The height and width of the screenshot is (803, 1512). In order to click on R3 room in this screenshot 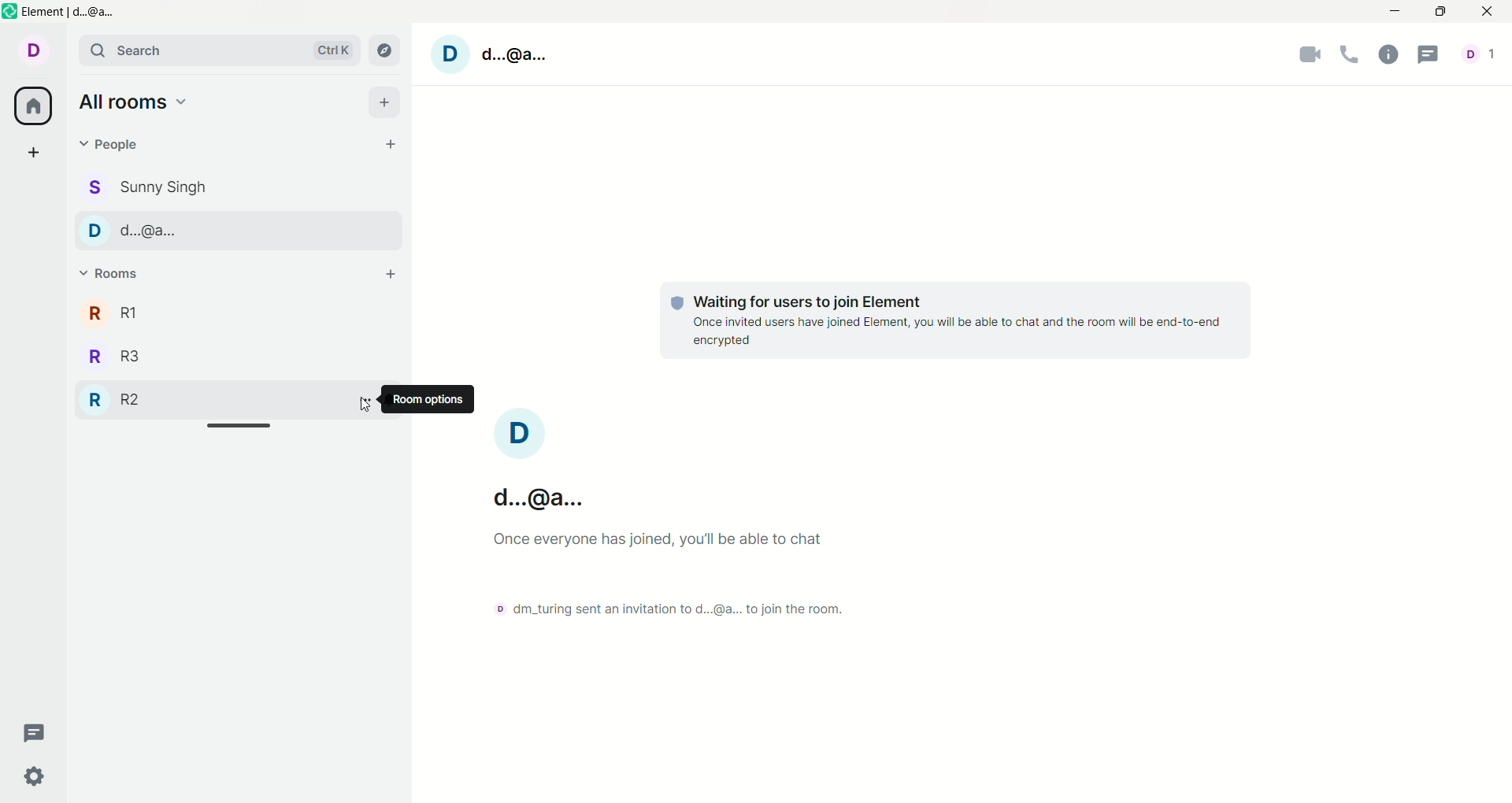, I will do `click(139, 356)`.